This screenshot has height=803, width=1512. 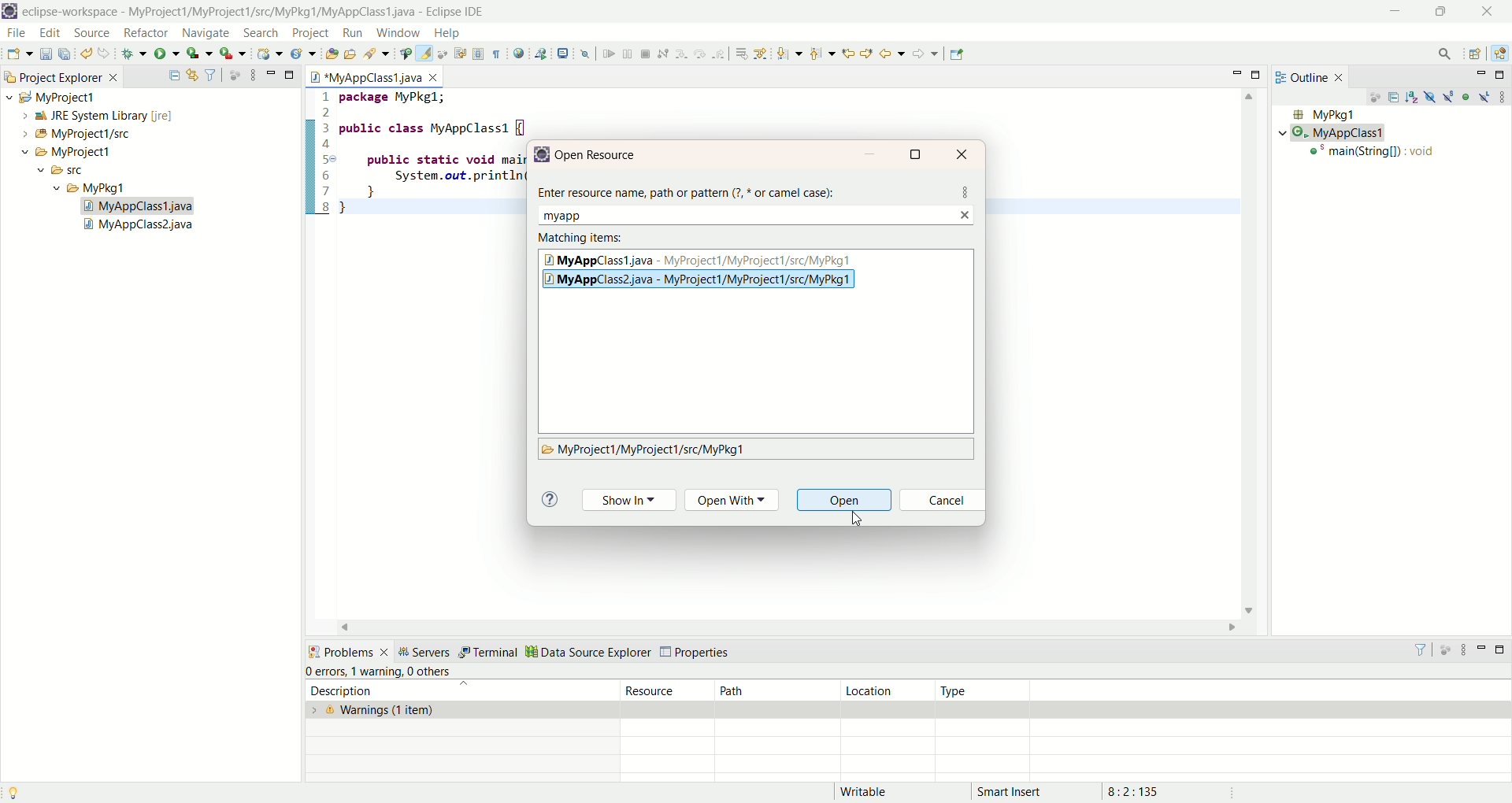 I want to click on navigate, so click(x=206, y=31).